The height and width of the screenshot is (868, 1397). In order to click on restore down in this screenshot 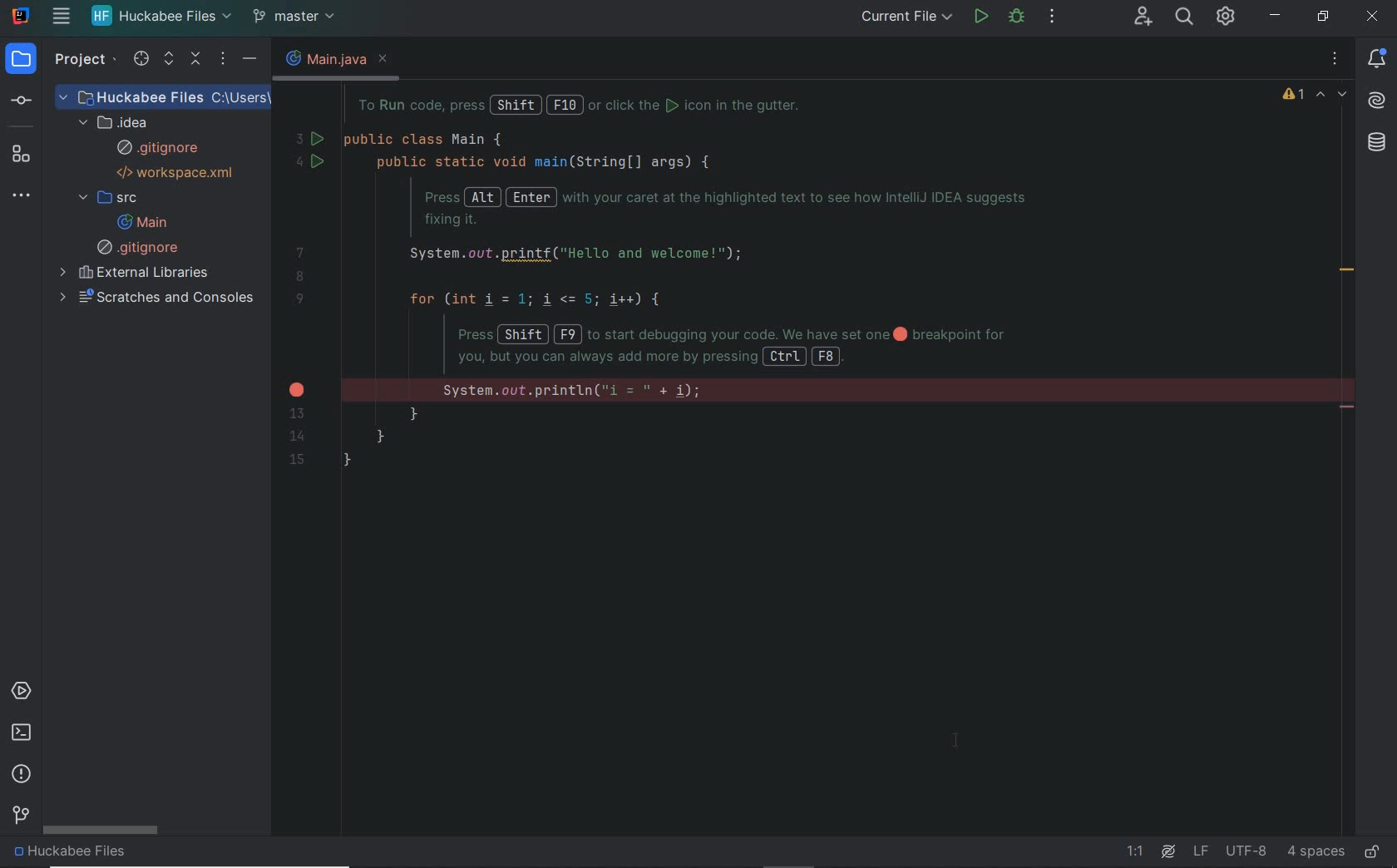, I will do `click(1325, 17)`.